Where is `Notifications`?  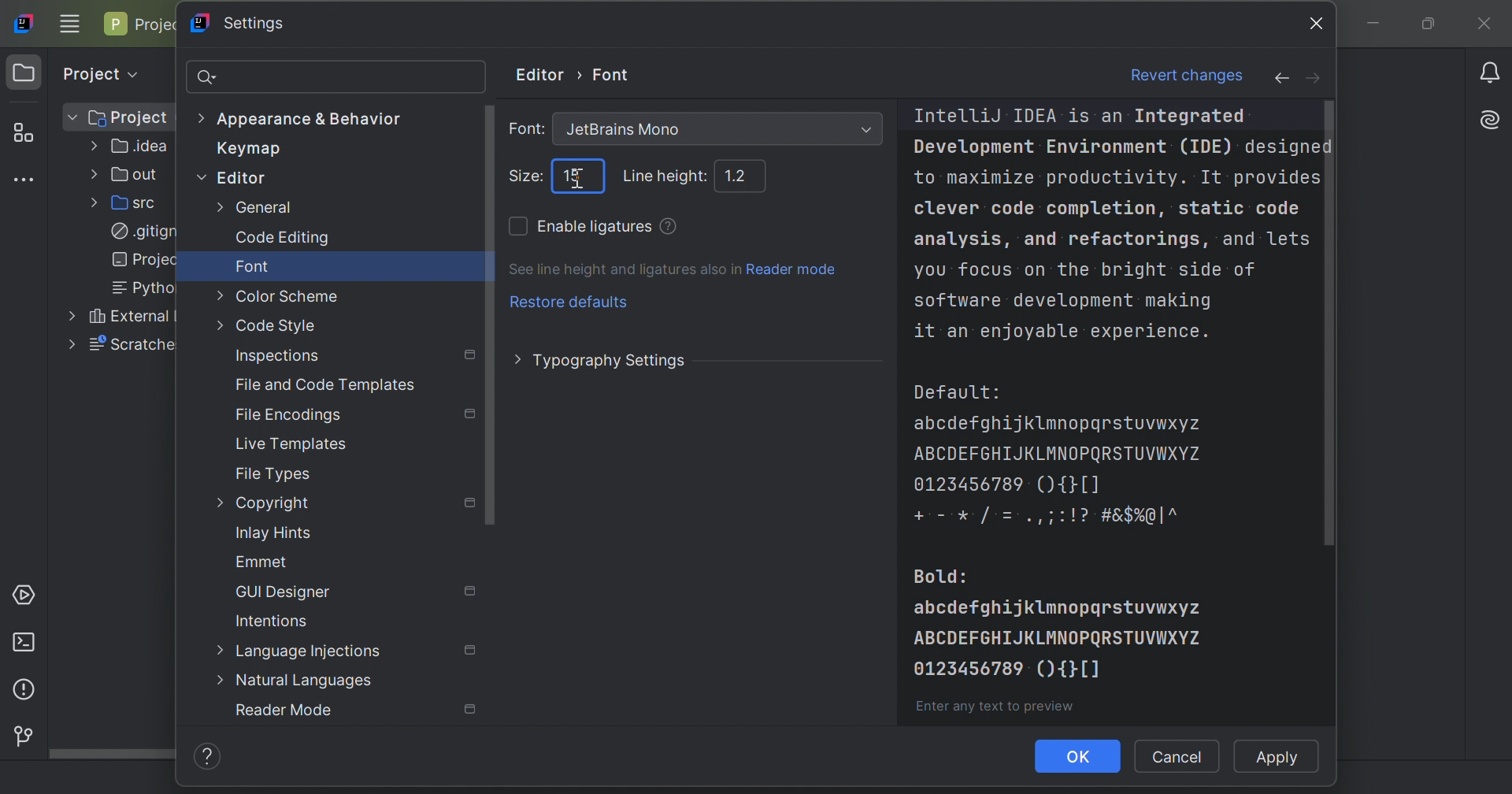 Notifications is located at coordinates (1492, 72).